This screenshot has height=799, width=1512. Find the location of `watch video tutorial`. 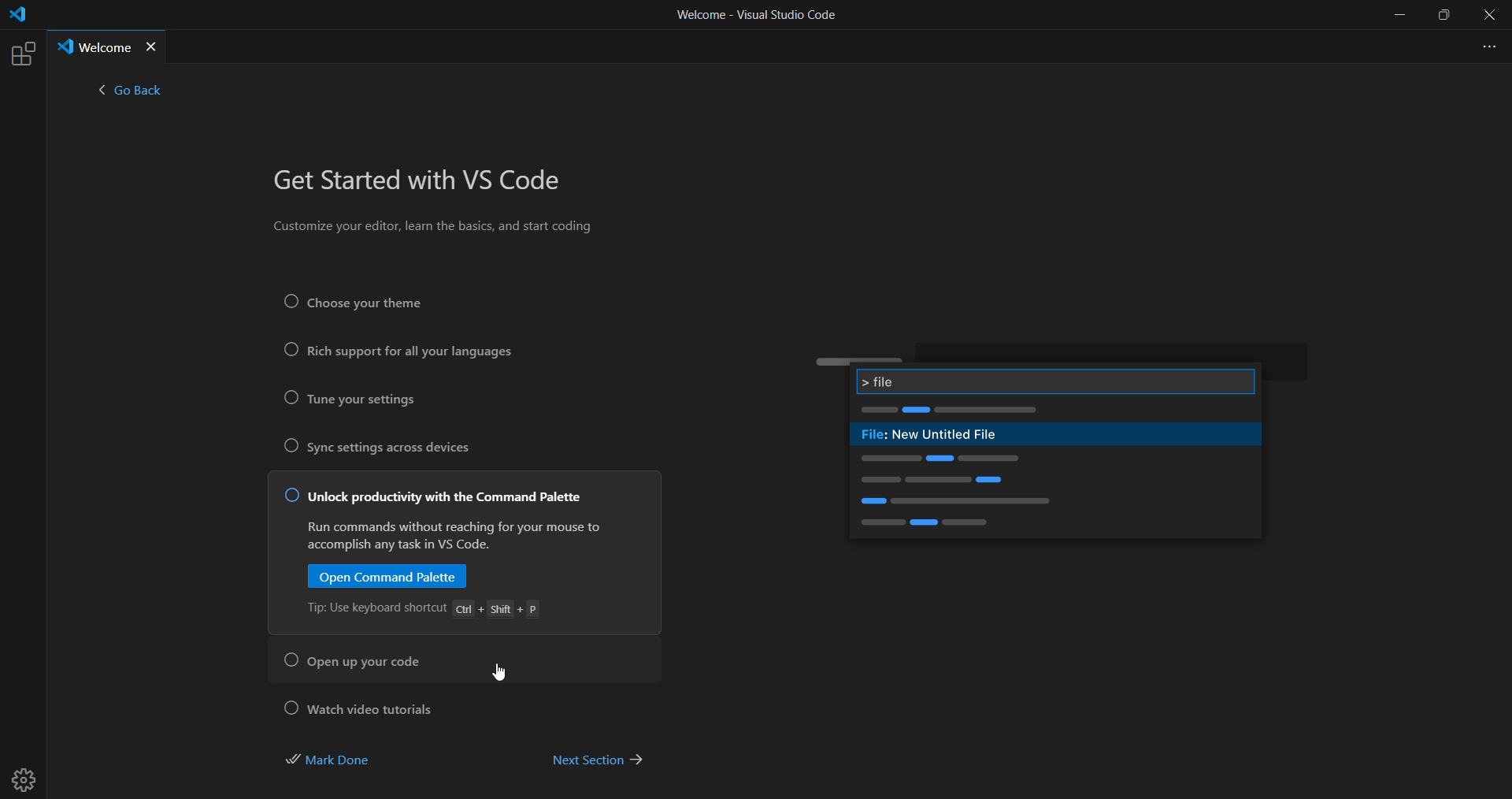

watch video tutorial is located at coordinates (365, 706).